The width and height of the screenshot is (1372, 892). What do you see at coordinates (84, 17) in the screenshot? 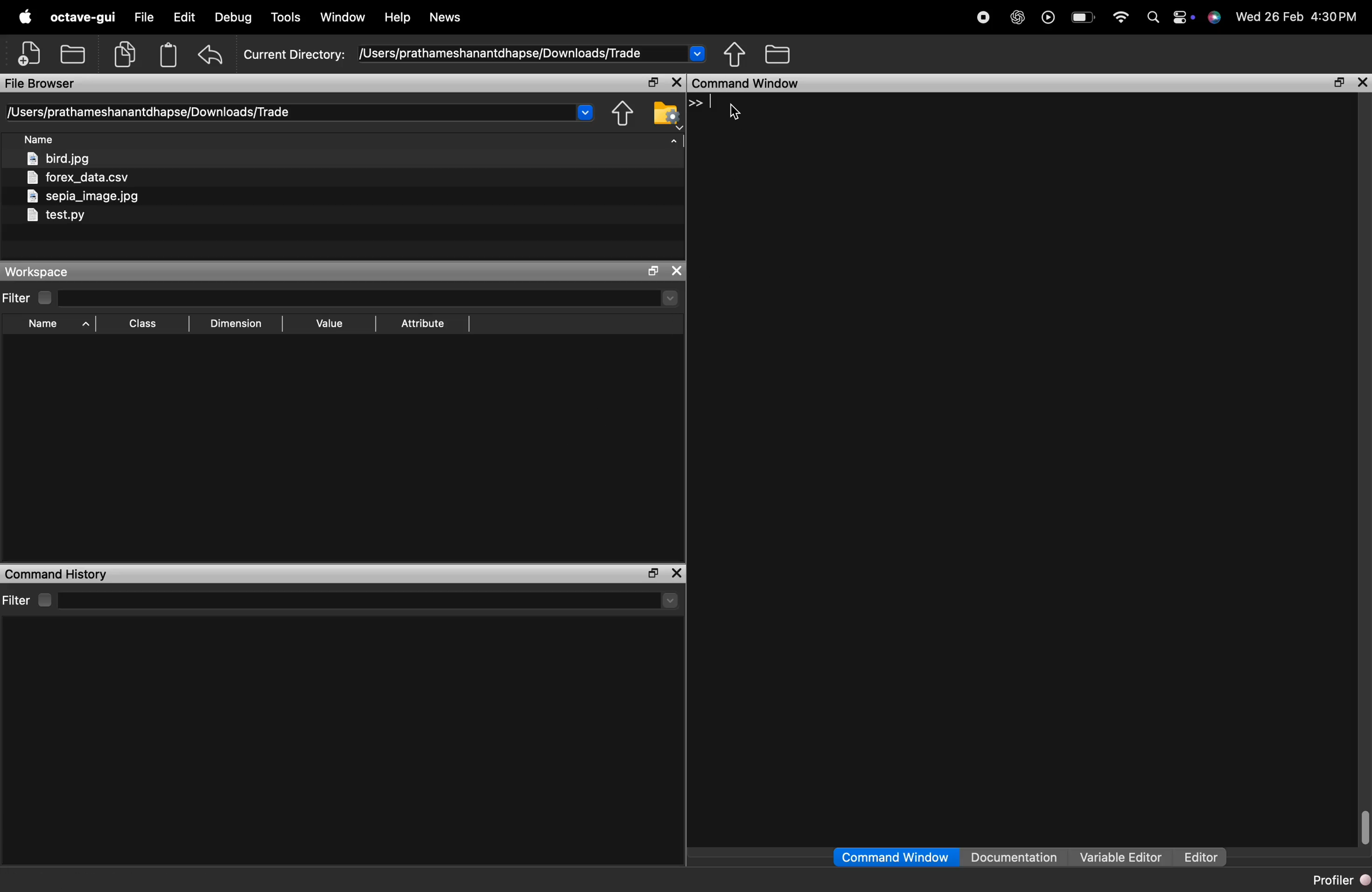
I see `octave-gui` at bounding box center [84, 17].